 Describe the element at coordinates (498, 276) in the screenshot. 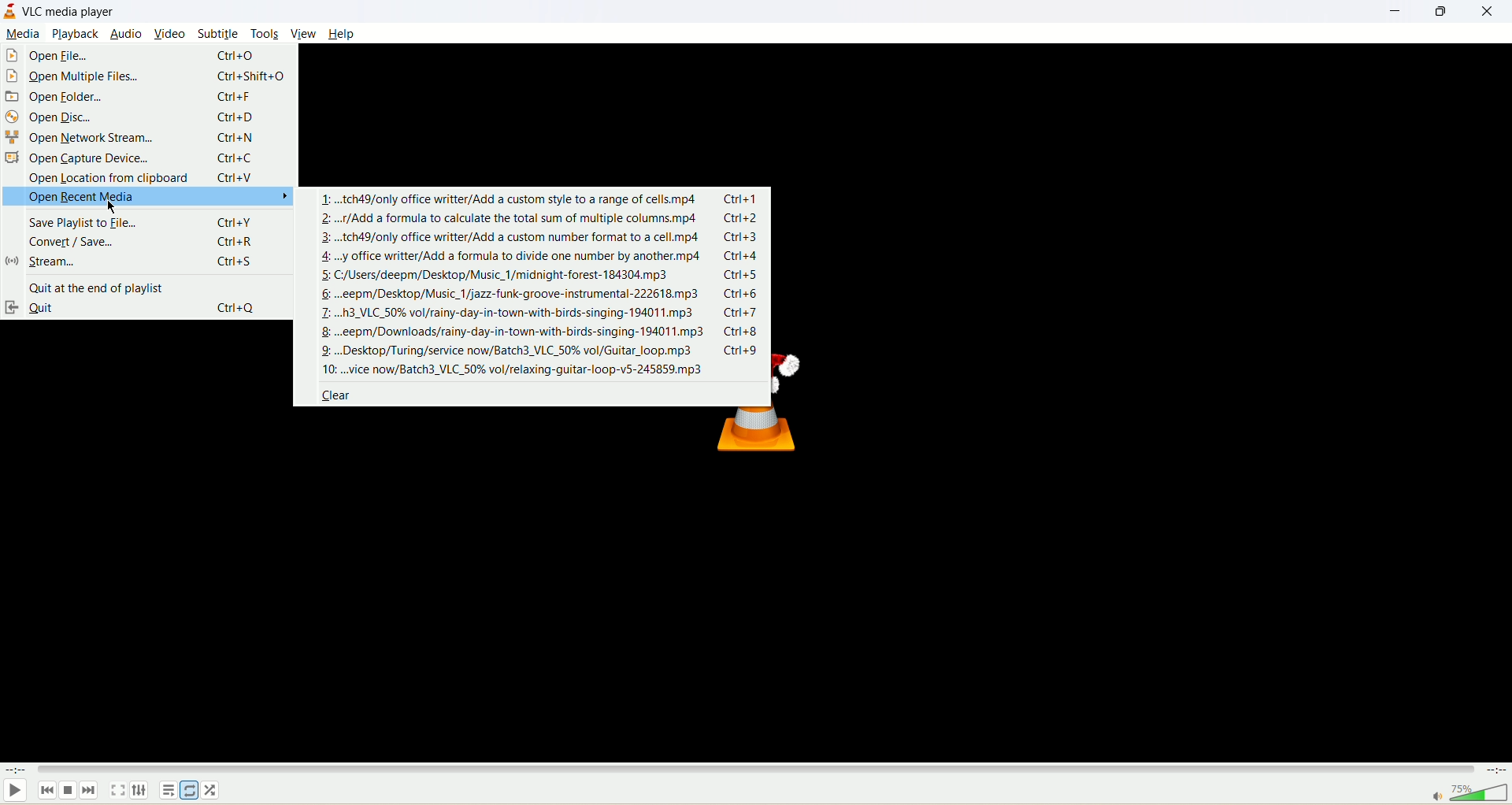

I see `5: C/Users/deepm/Desktop/Music_1/midnight-forest-184304.mp3` at that location.